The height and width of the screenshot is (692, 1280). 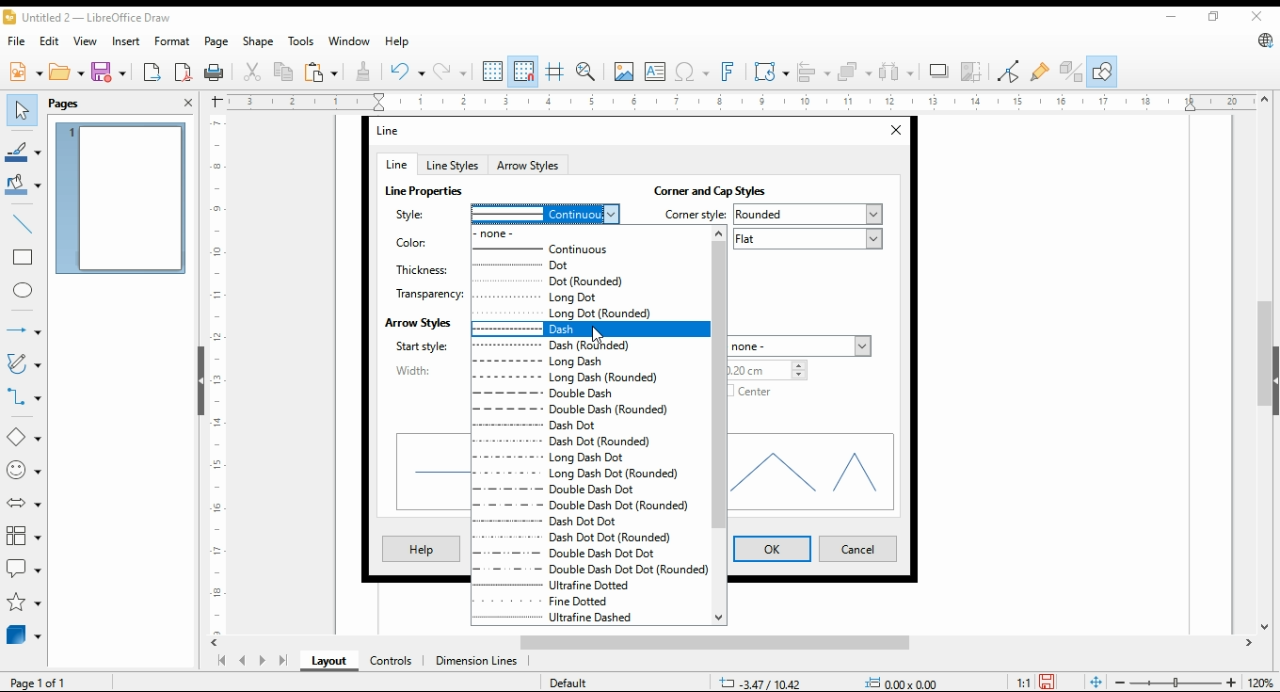 I want to click on transparency, so click(x=429, y=292).